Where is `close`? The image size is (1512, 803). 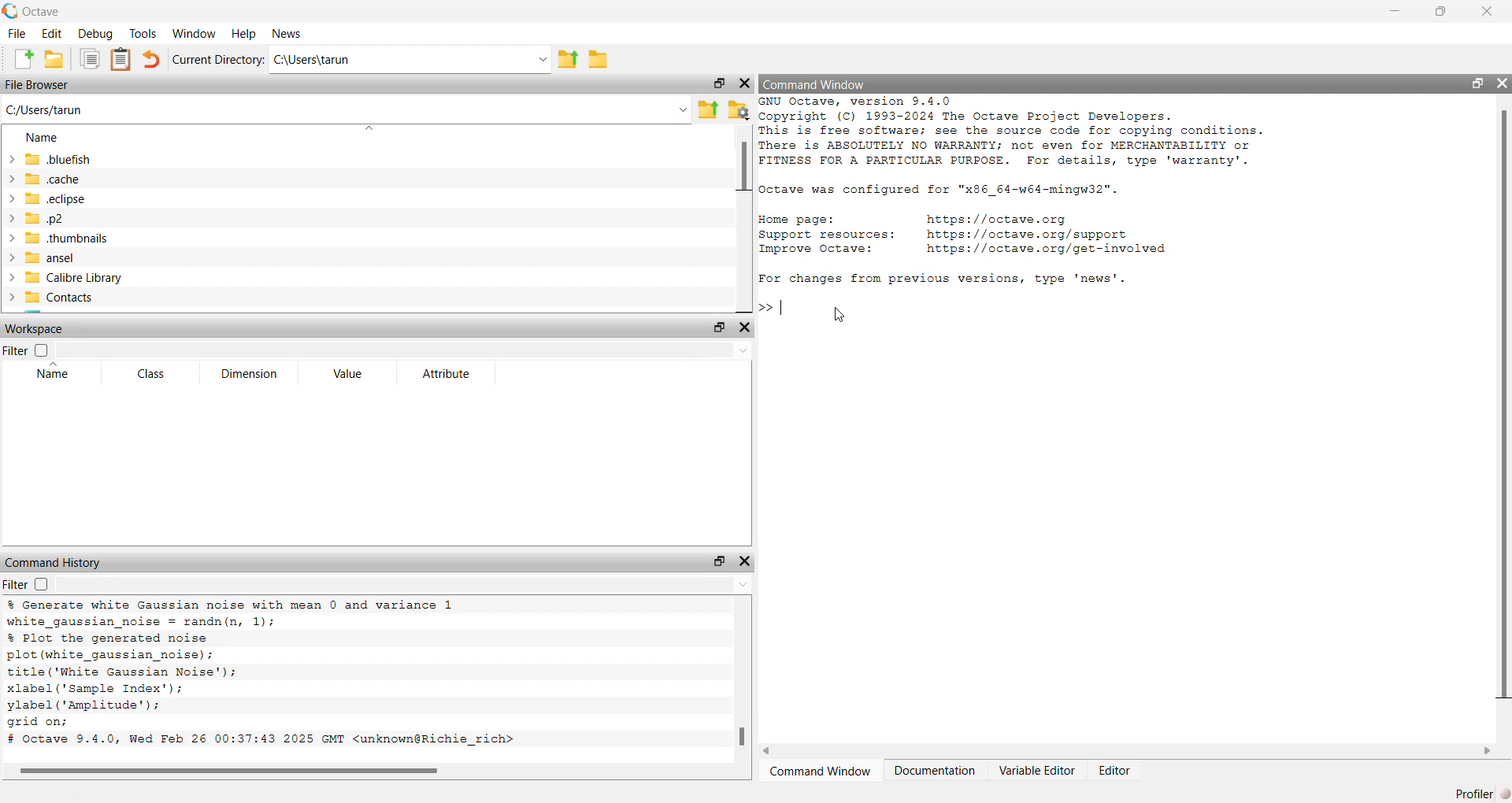 close is located at coordinates (747, 83).